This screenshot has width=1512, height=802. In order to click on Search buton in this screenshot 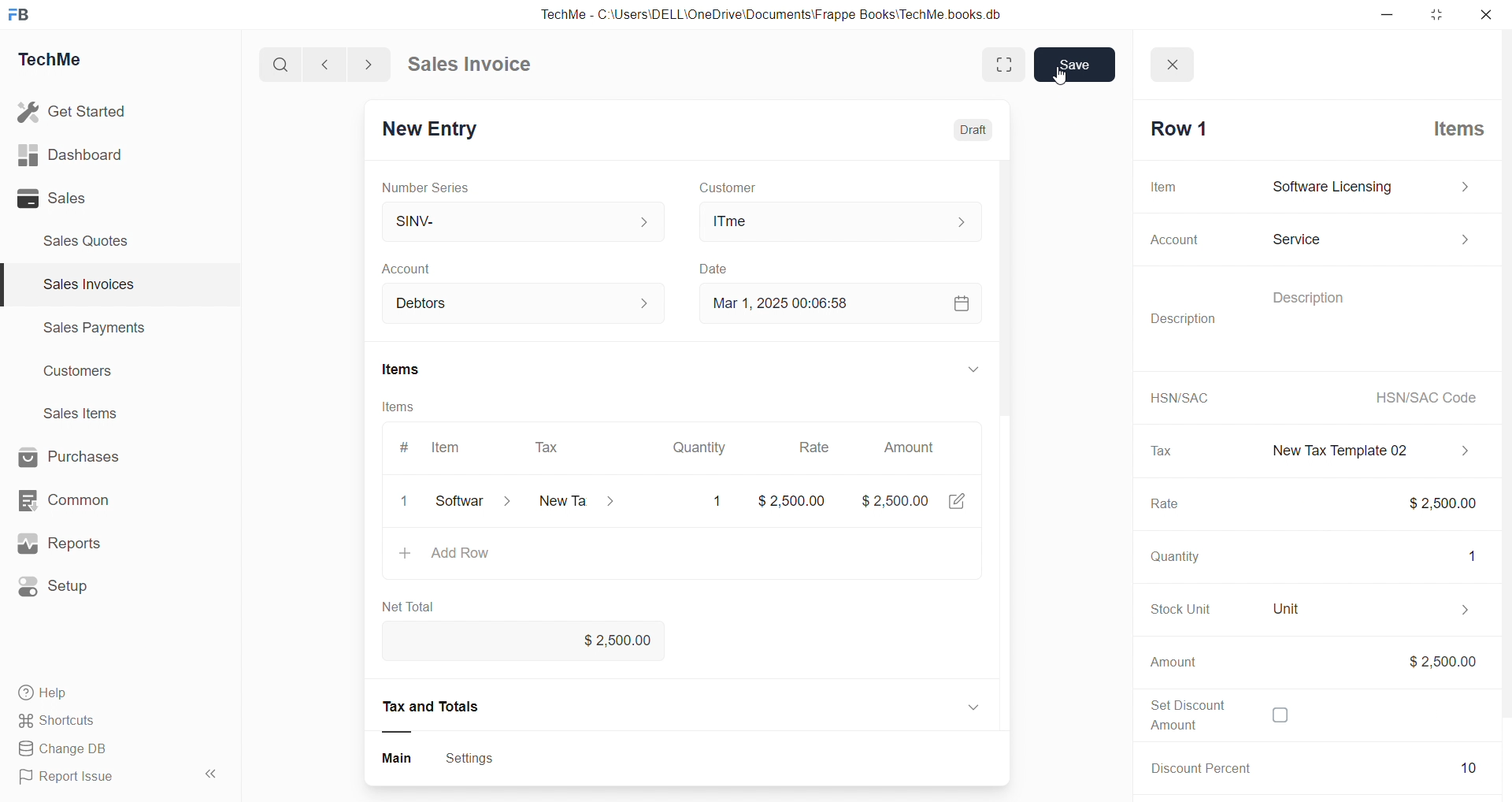, I will do `click(283, 65)`.